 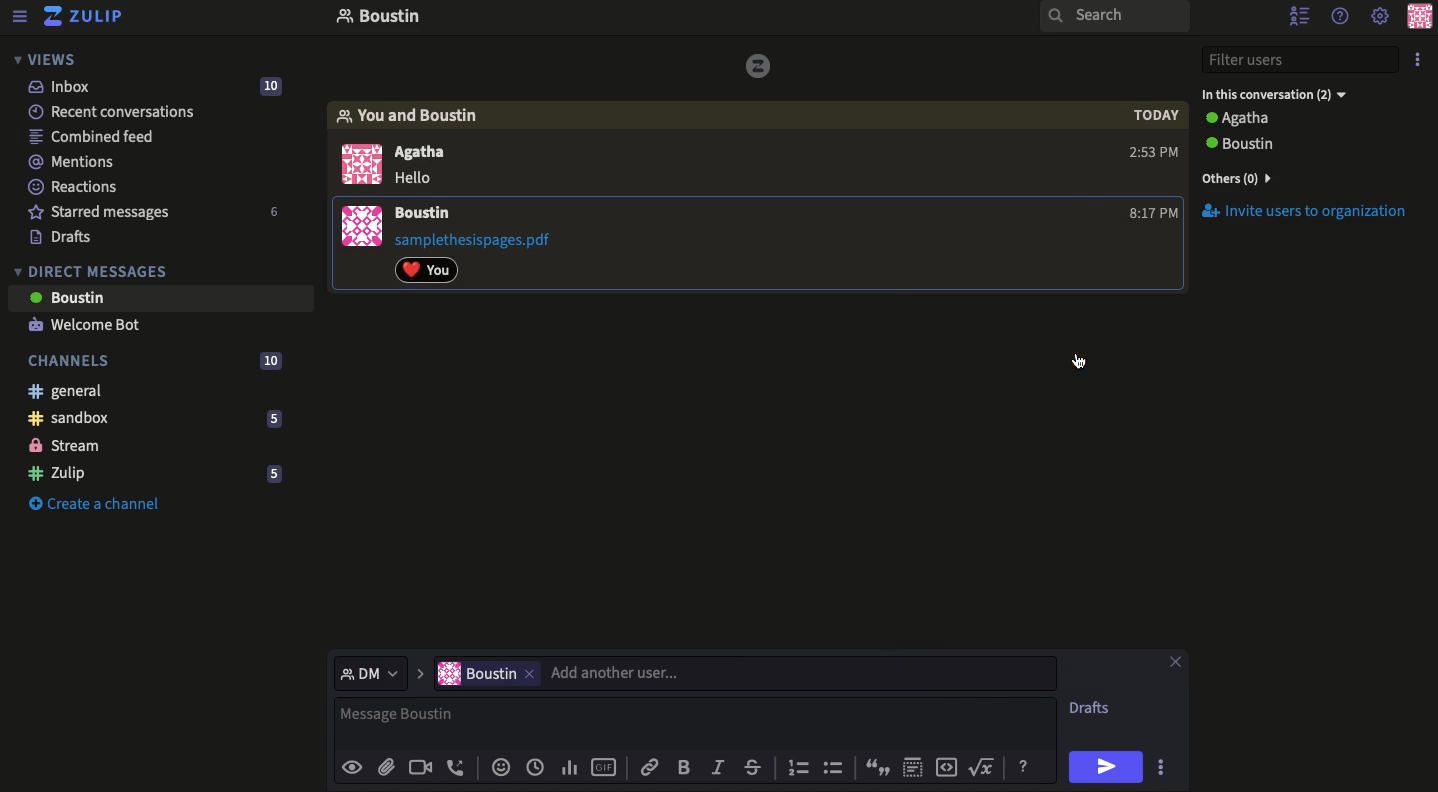 I want to click on image, so click(x=363, y=228).